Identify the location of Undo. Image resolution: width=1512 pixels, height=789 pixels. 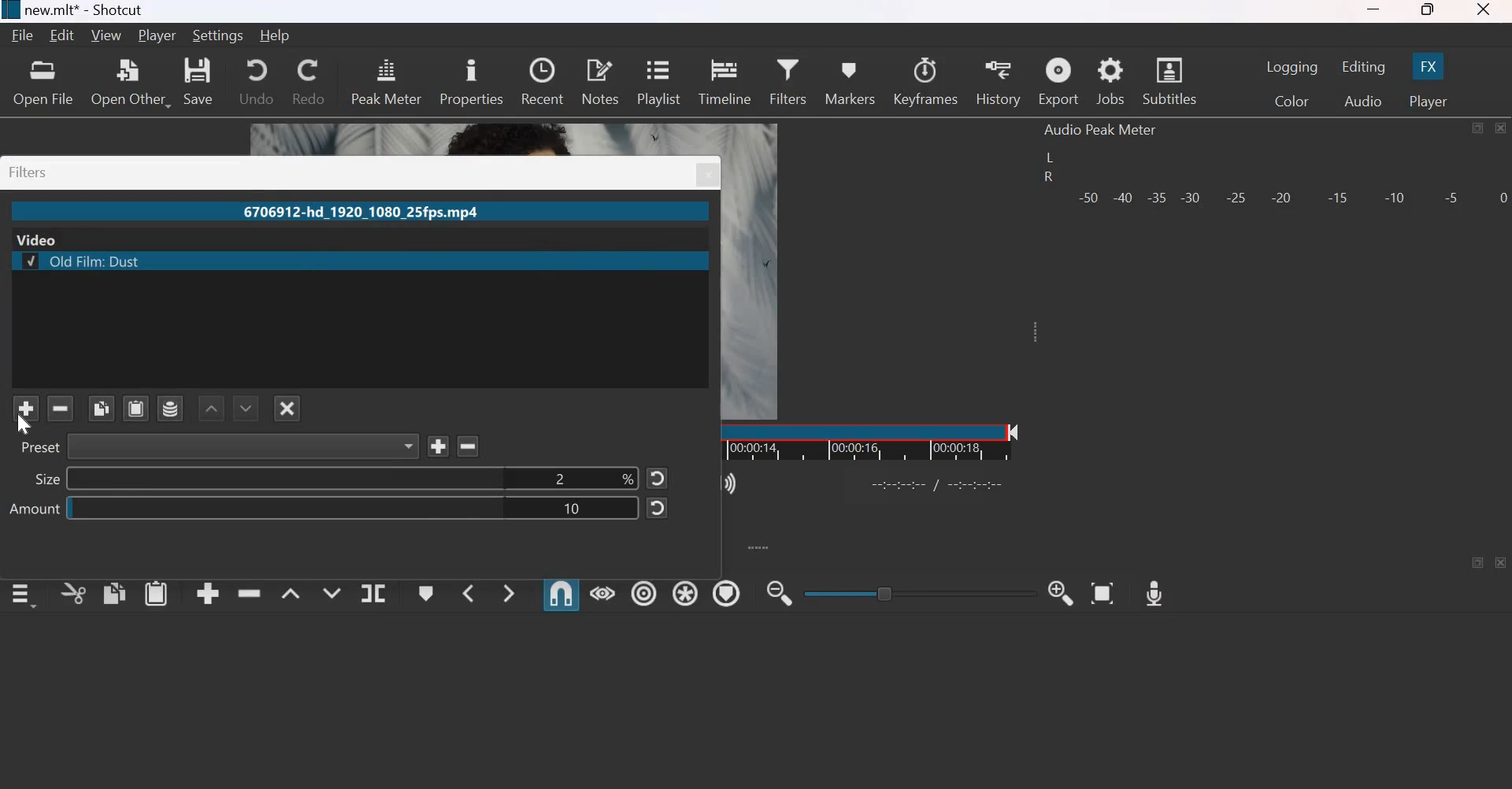
(254, 82).